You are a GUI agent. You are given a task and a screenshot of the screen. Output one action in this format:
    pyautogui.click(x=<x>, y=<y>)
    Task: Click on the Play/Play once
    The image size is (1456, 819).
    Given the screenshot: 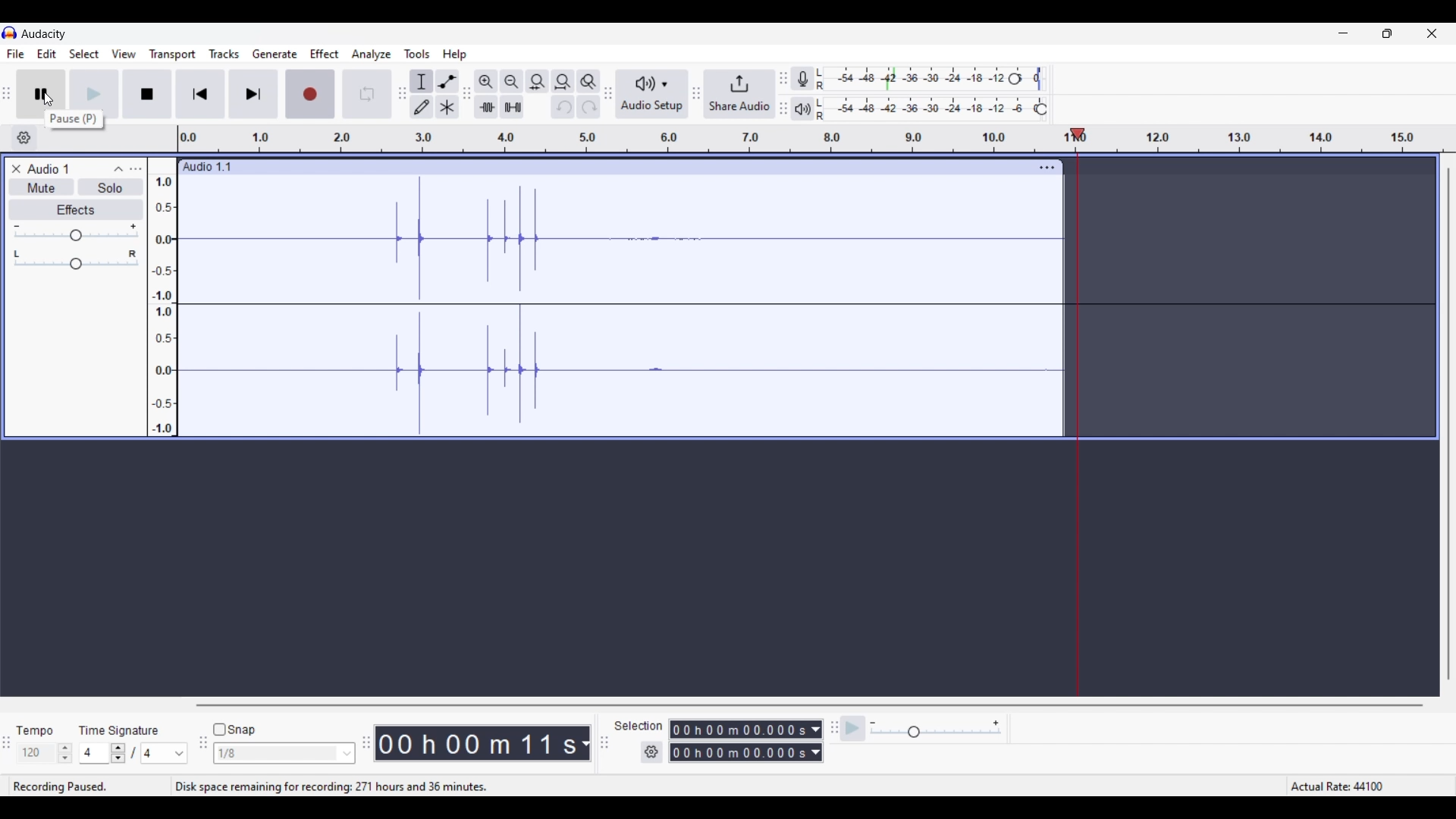 What is the action you would take?
    pyautogui.click(x=93, y=89)
    